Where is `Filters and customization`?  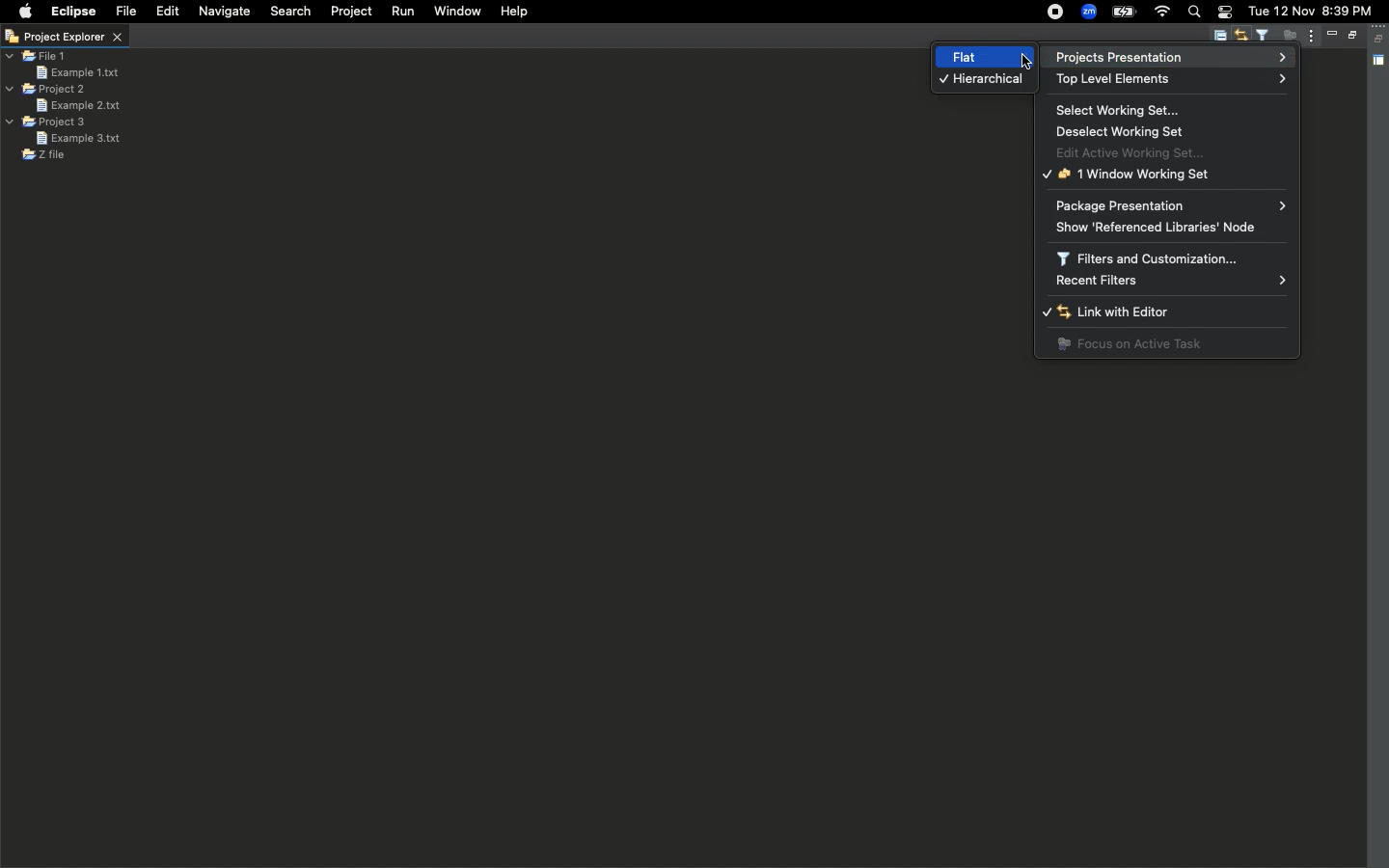
Filters and customization is located at coordinates (1155, 258).